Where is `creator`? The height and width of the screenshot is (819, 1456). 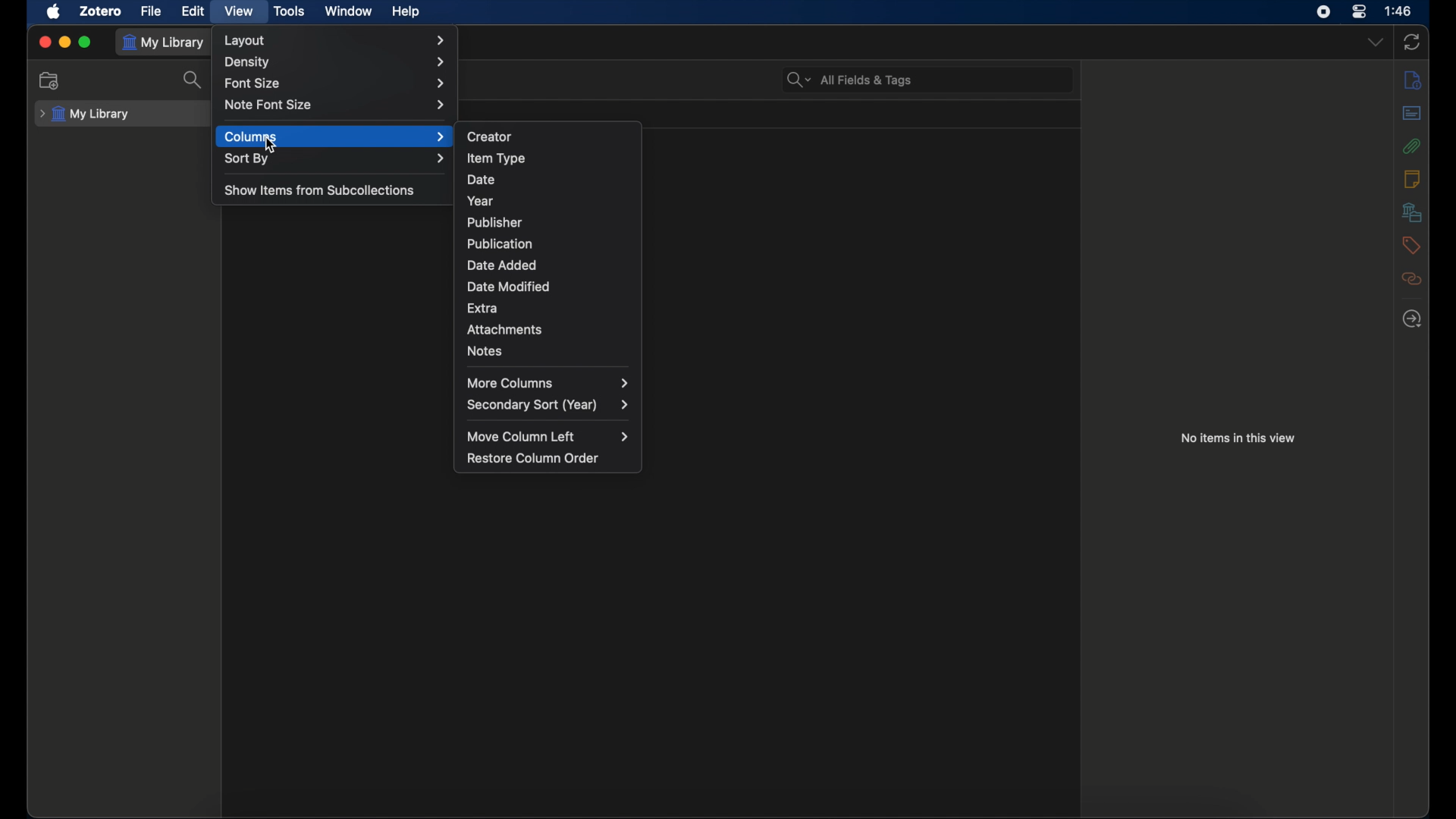 creator is located at coordinates (491, 136).